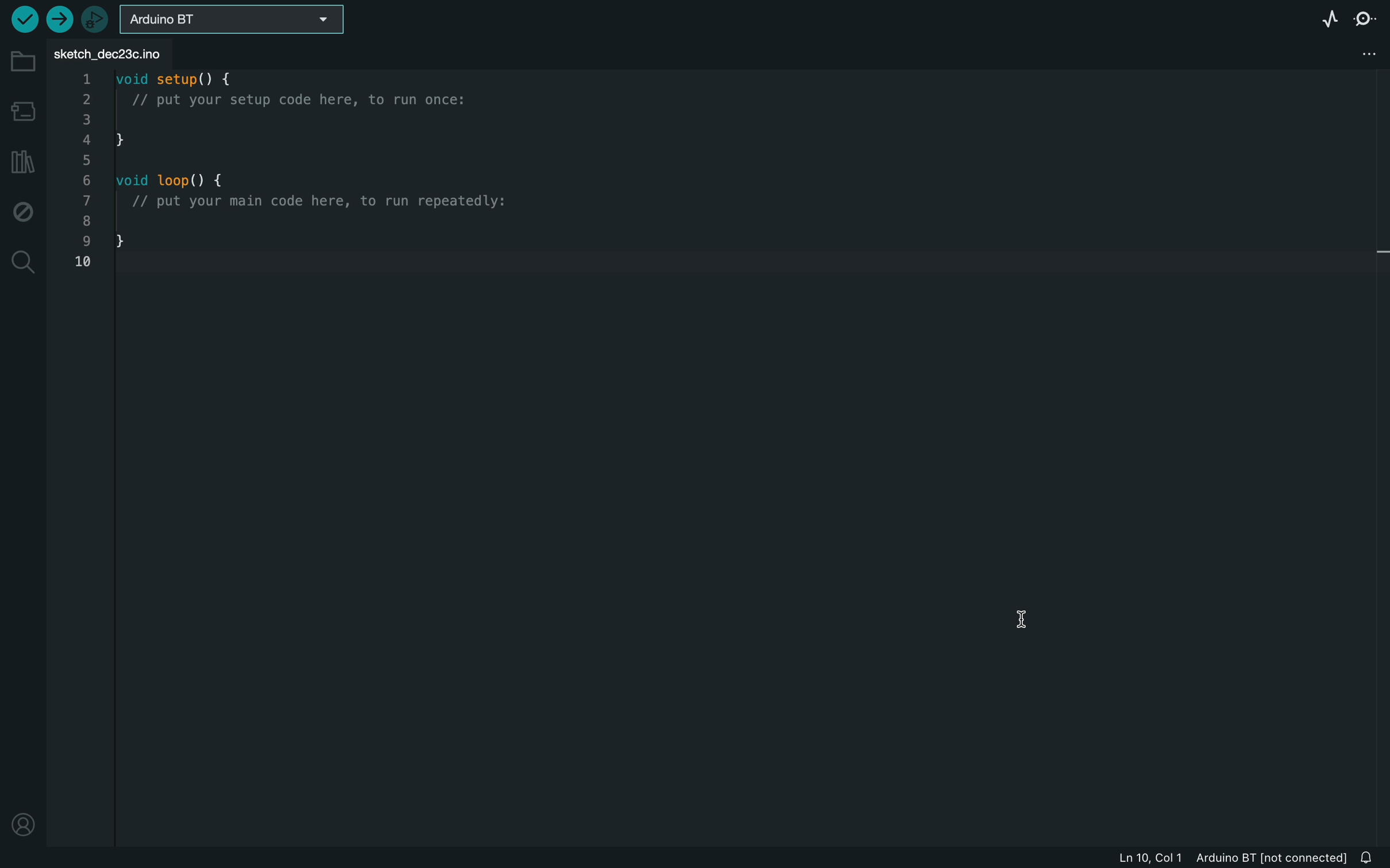 This screenshot has width=1390, height=868. Describe the element at coordinates (337, 175) in the screenshot. I see `code` at that location.